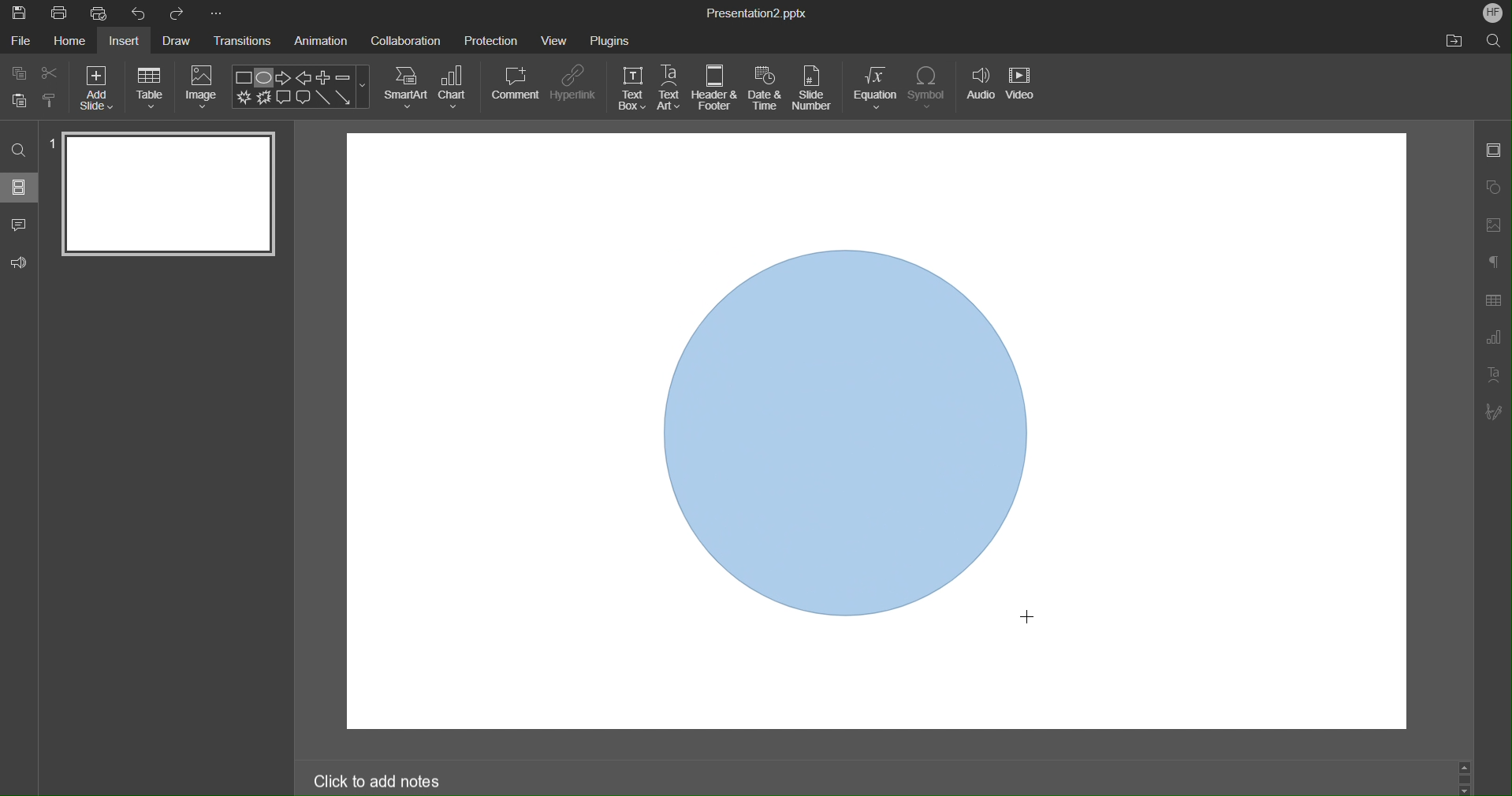  What do you see at coordinates (1495, 223) in the screenshot?
I see `Image Settings` at bounding box center [1495, 223].